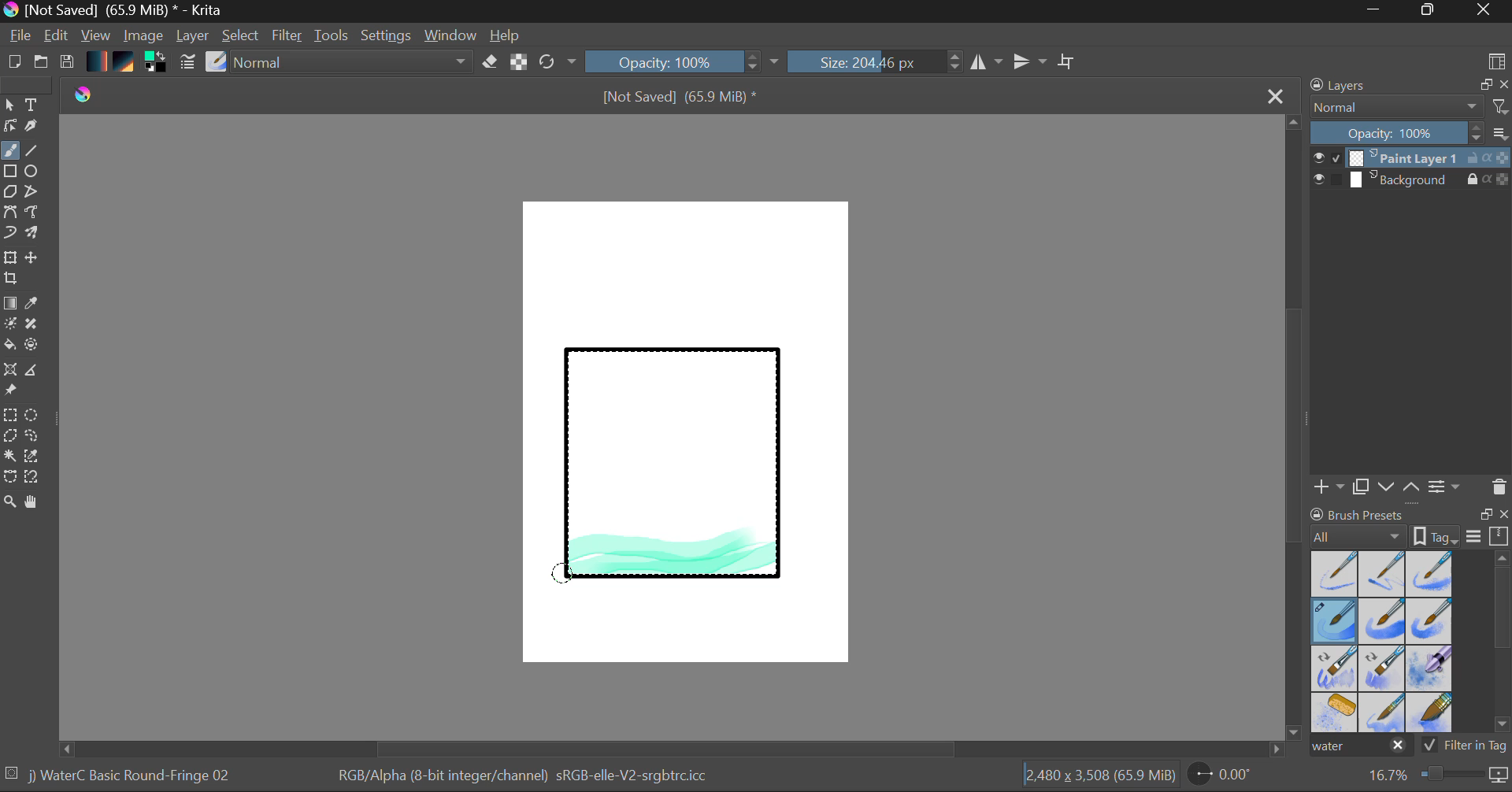 This screenshot has width=1512, height=792. Describe the element at coordinates (1383, 622) in the screenshot. I see `Water C - Grain` at that location.